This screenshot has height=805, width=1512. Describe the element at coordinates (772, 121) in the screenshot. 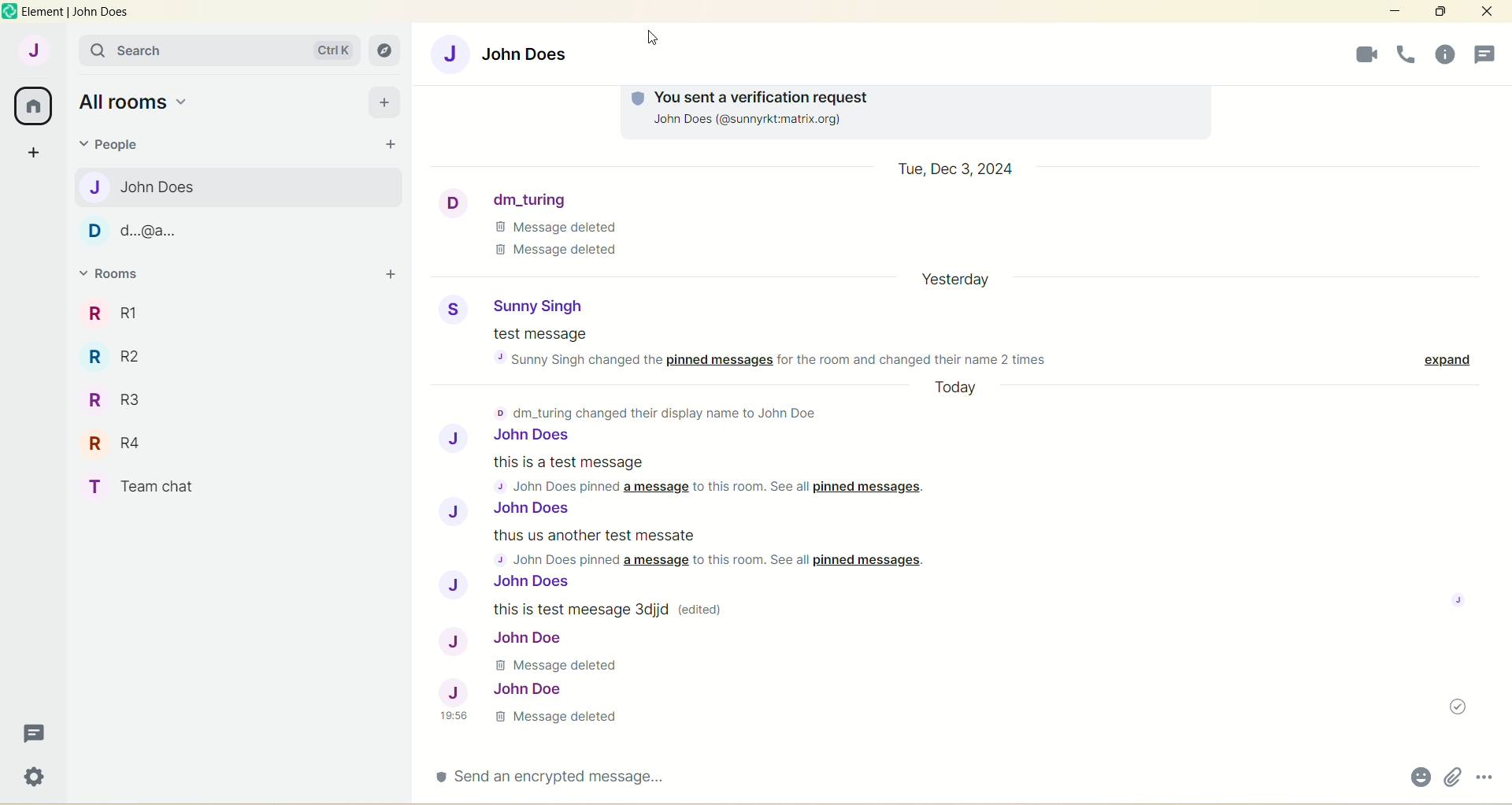

I see `John Does (@sunnyrkt:matrix.org)` at that location.